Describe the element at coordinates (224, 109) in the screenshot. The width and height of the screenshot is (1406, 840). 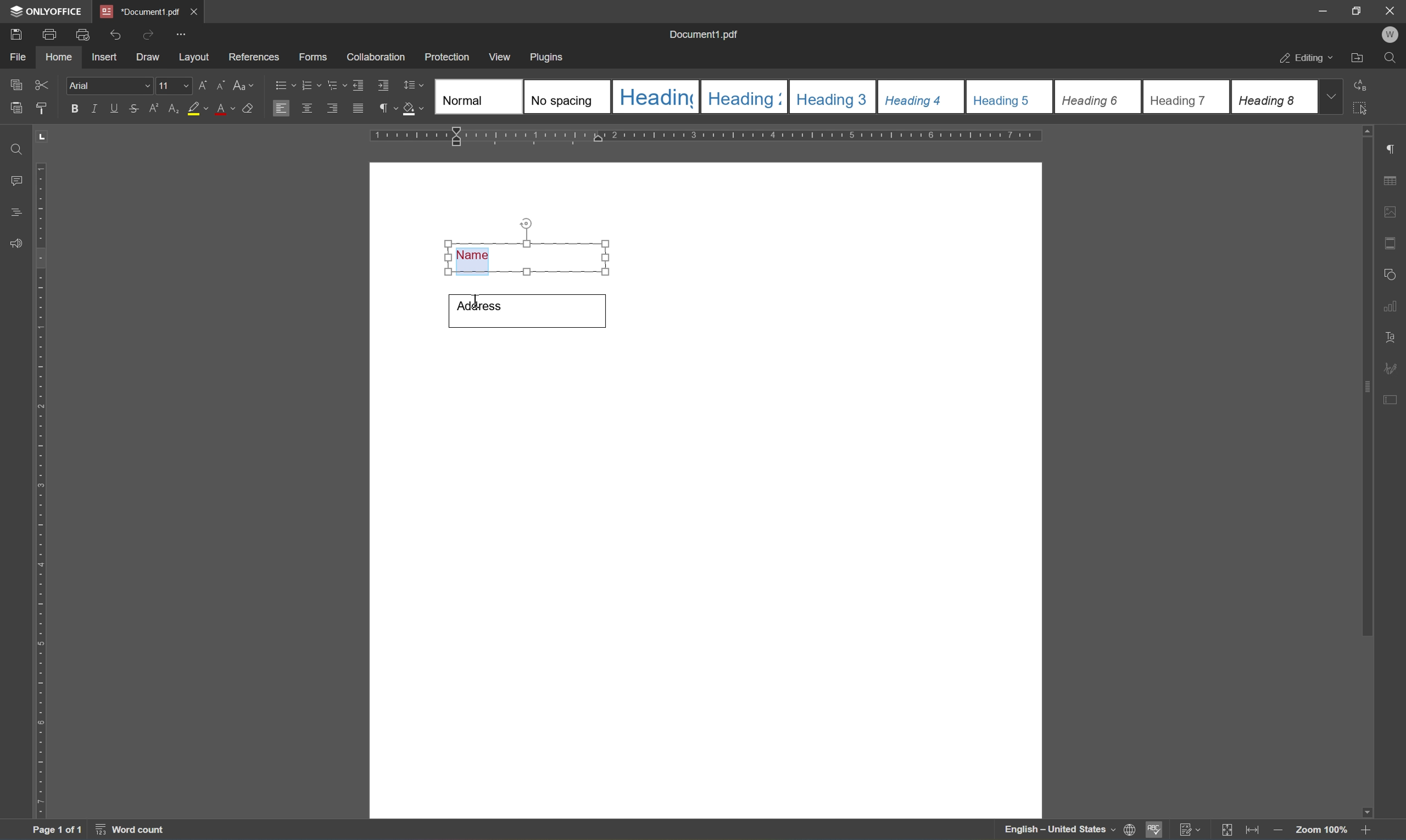
I see `font color` at that location.